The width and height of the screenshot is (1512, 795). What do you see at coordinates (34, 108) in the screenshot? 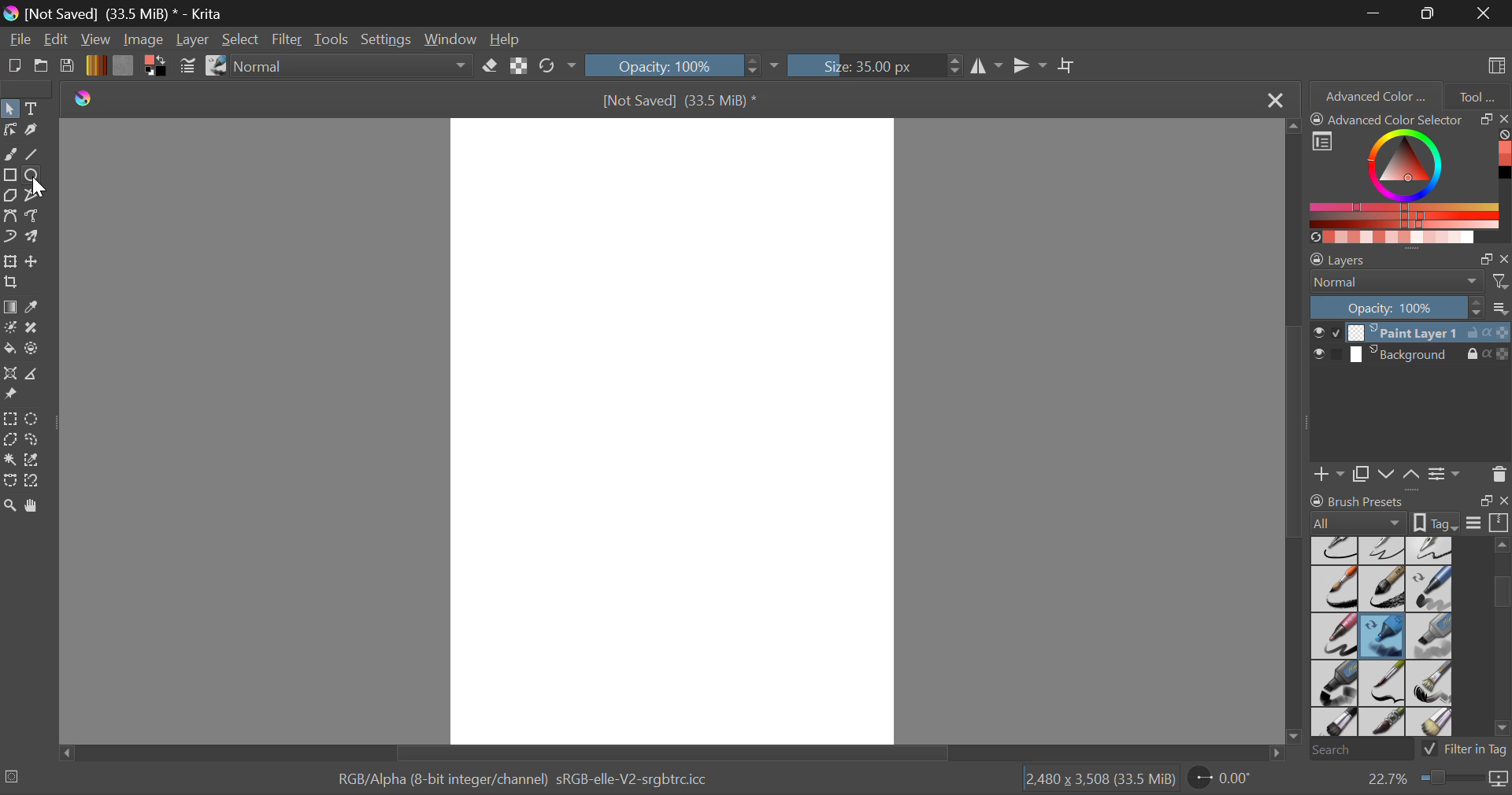
I see `Text` at bounding box center [34, 108].